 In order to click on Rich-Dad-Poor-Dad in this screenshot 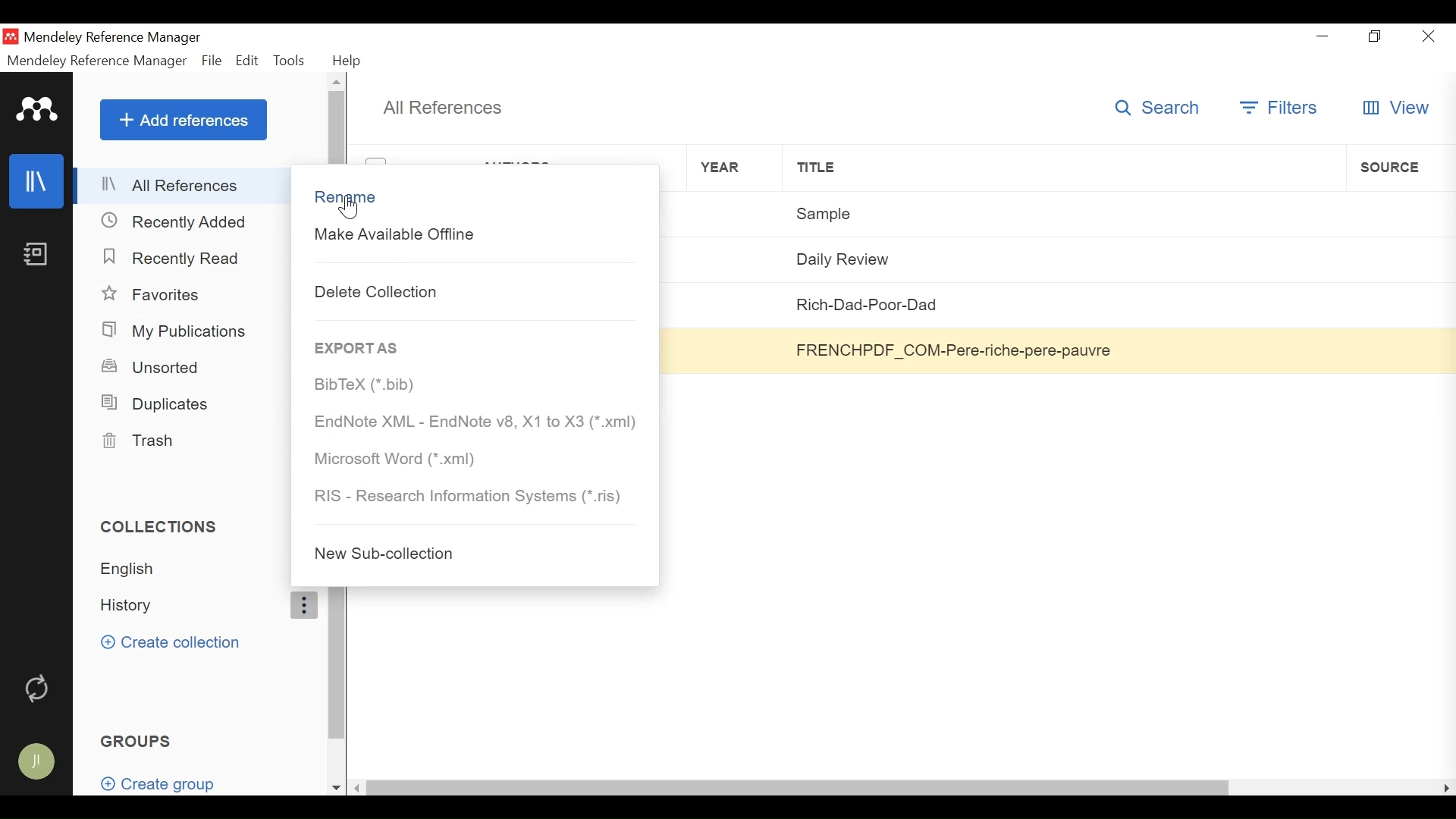, I will do `click(1064, 303)`.